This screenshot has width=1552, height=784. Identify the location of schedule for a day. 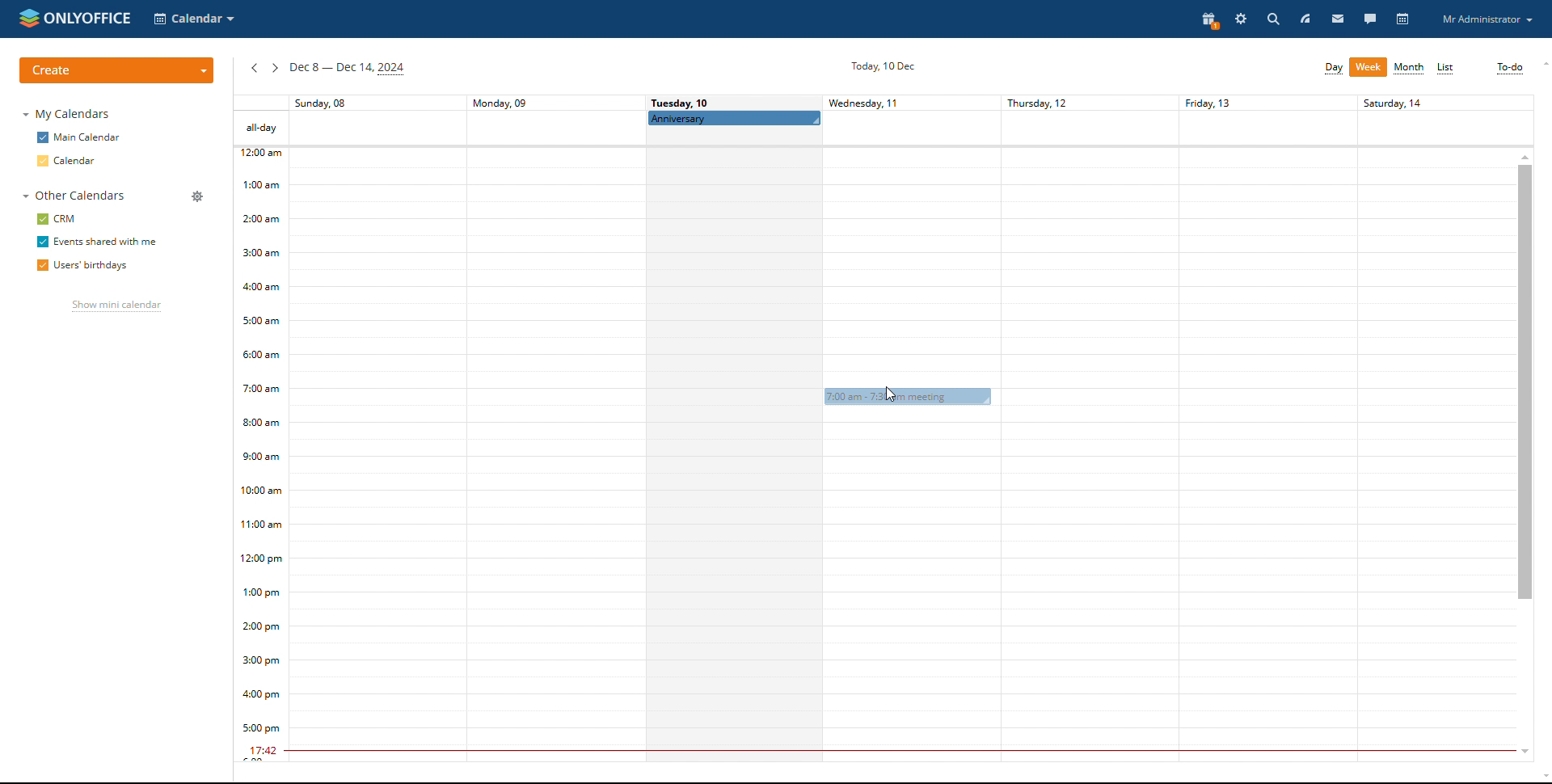
(734, 456).